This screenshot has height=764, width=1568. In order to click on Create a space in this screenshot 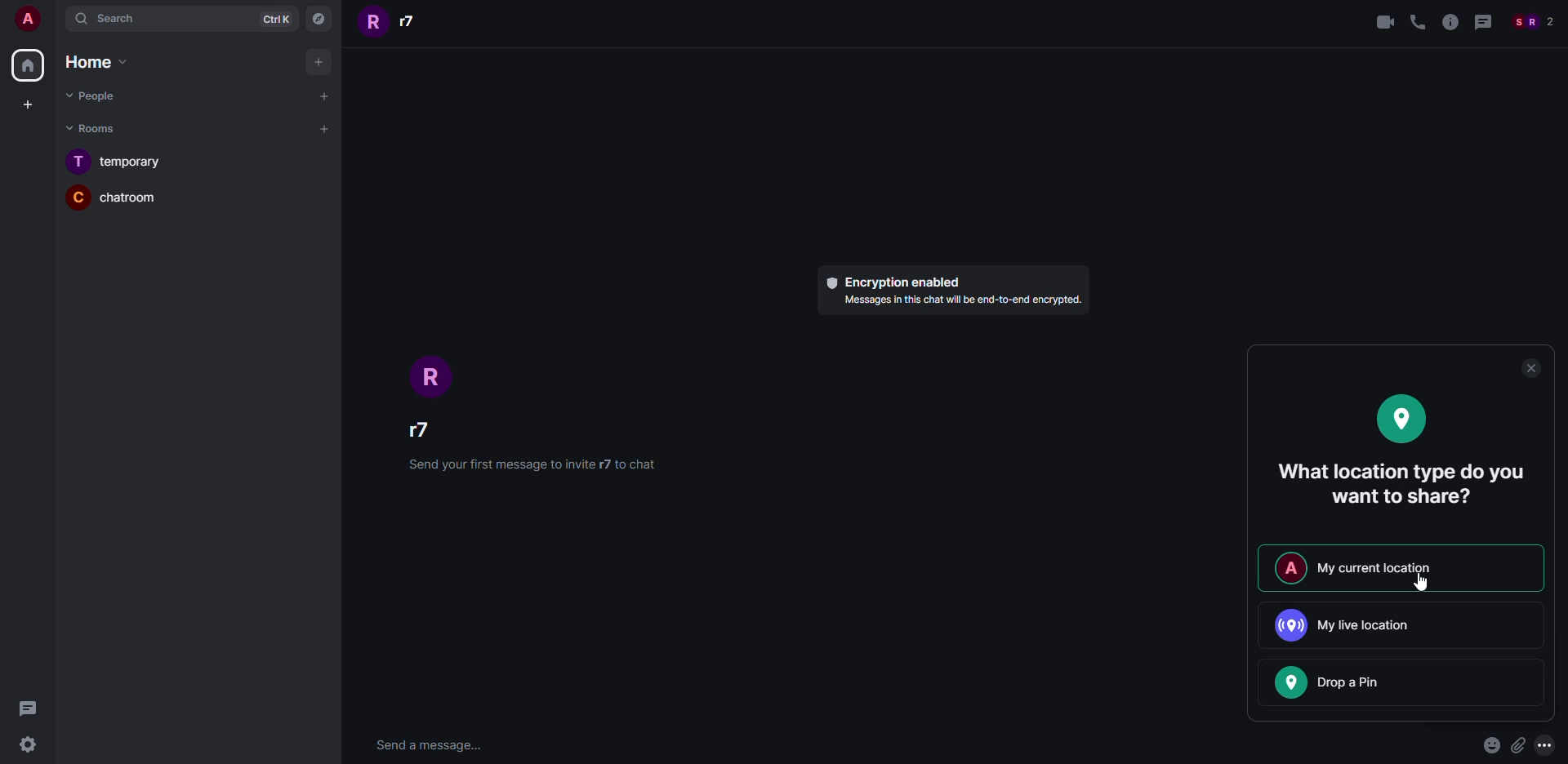, I will do `click(30, 106)`.